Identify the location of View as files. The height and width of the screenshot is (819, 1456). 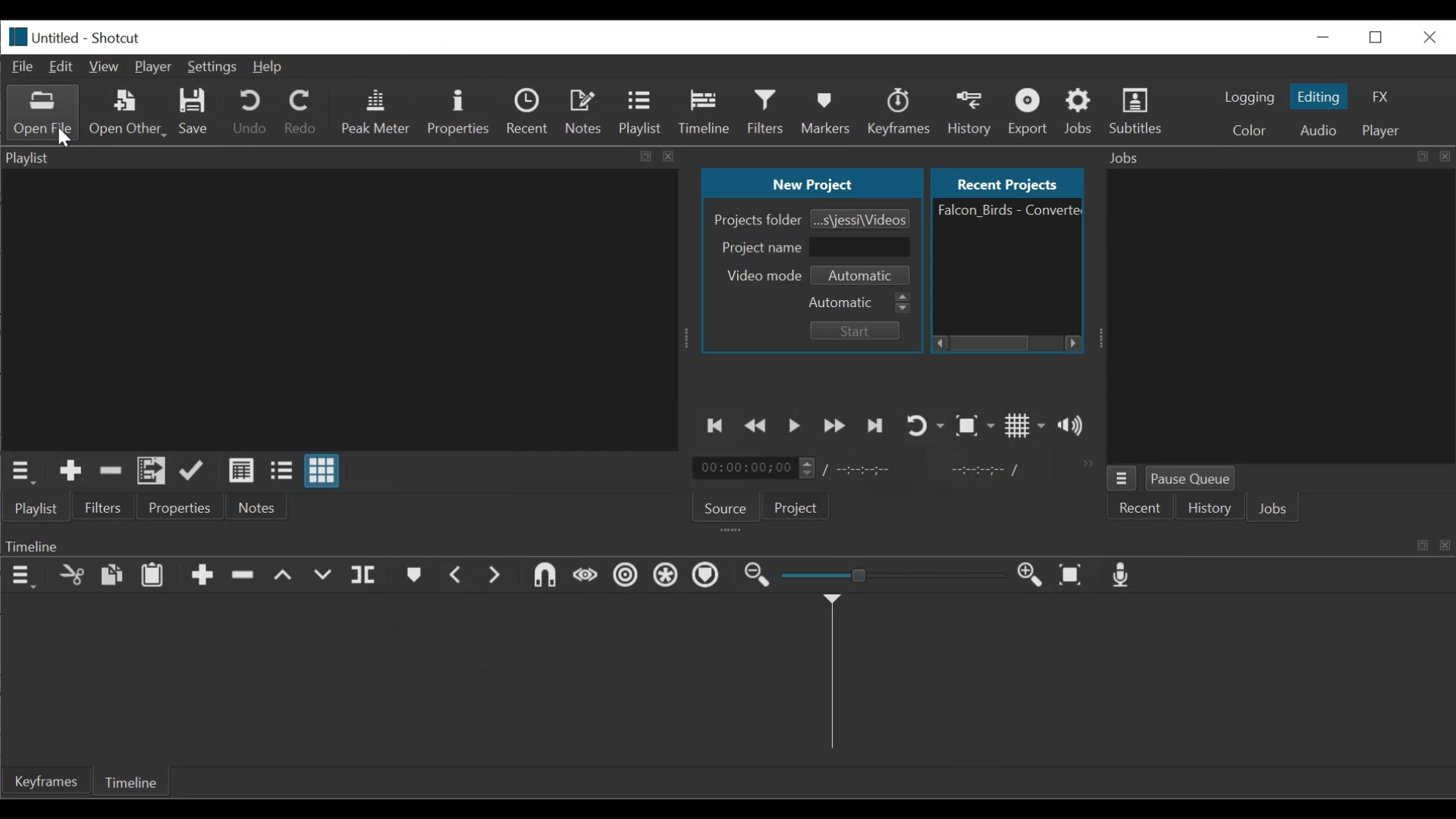
(285, 472).